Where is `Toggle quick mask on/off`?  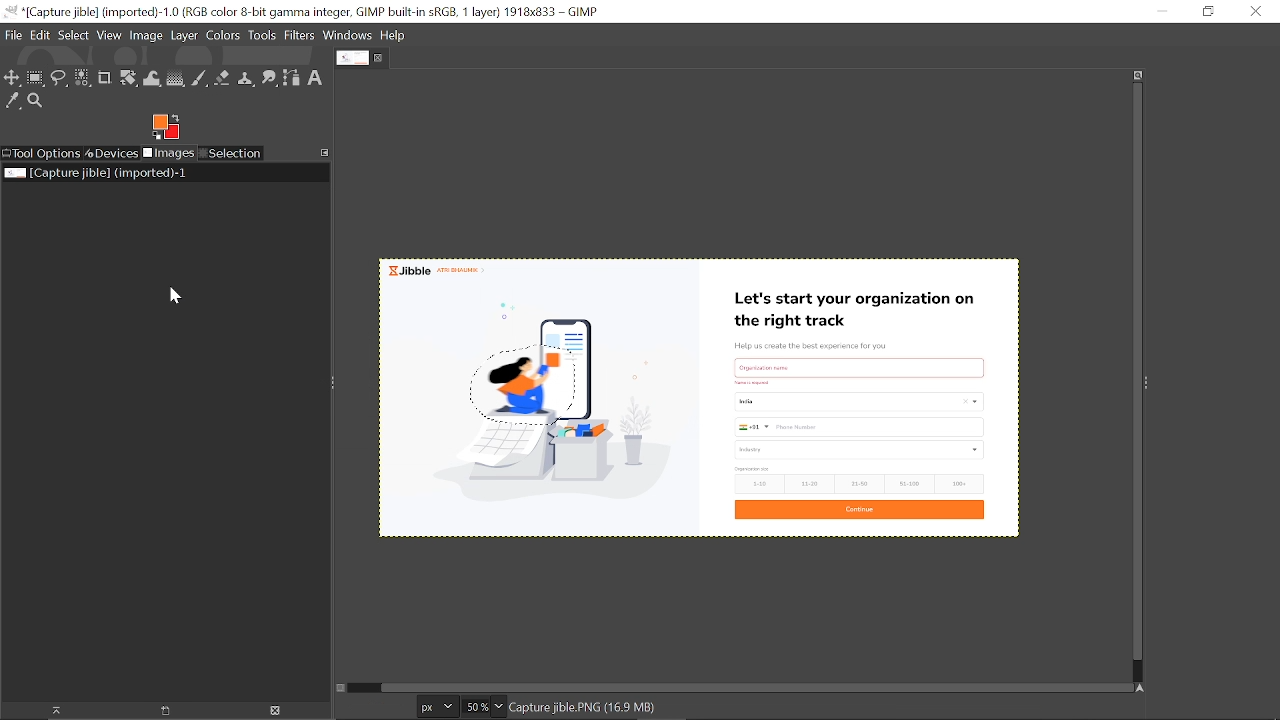
Toggle quick mask on/off is located at coordinates (339, 688).